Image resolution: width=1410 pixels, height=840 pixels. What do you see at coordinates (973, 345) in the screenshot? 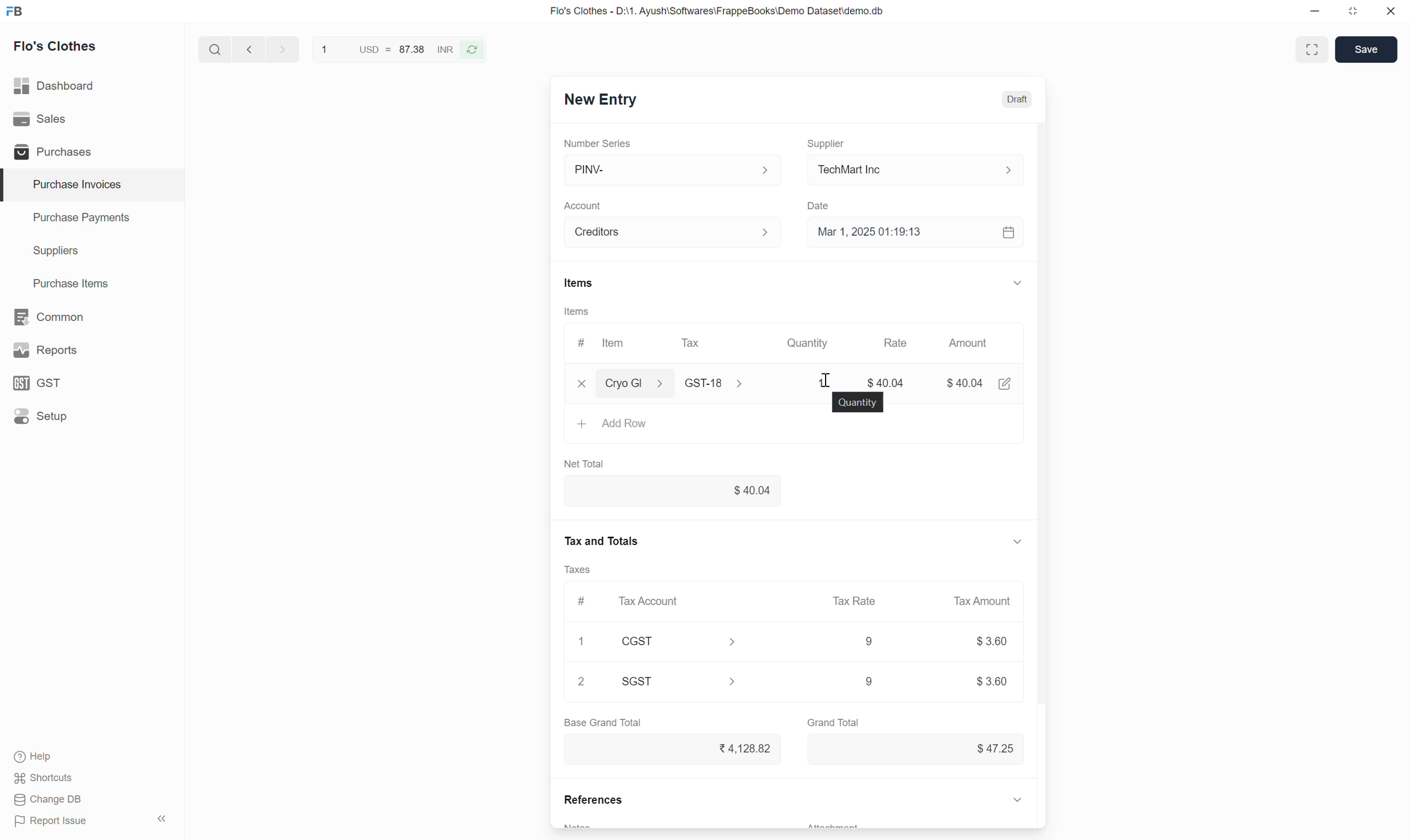
I see `Amount` at bounding box center [973, 345].